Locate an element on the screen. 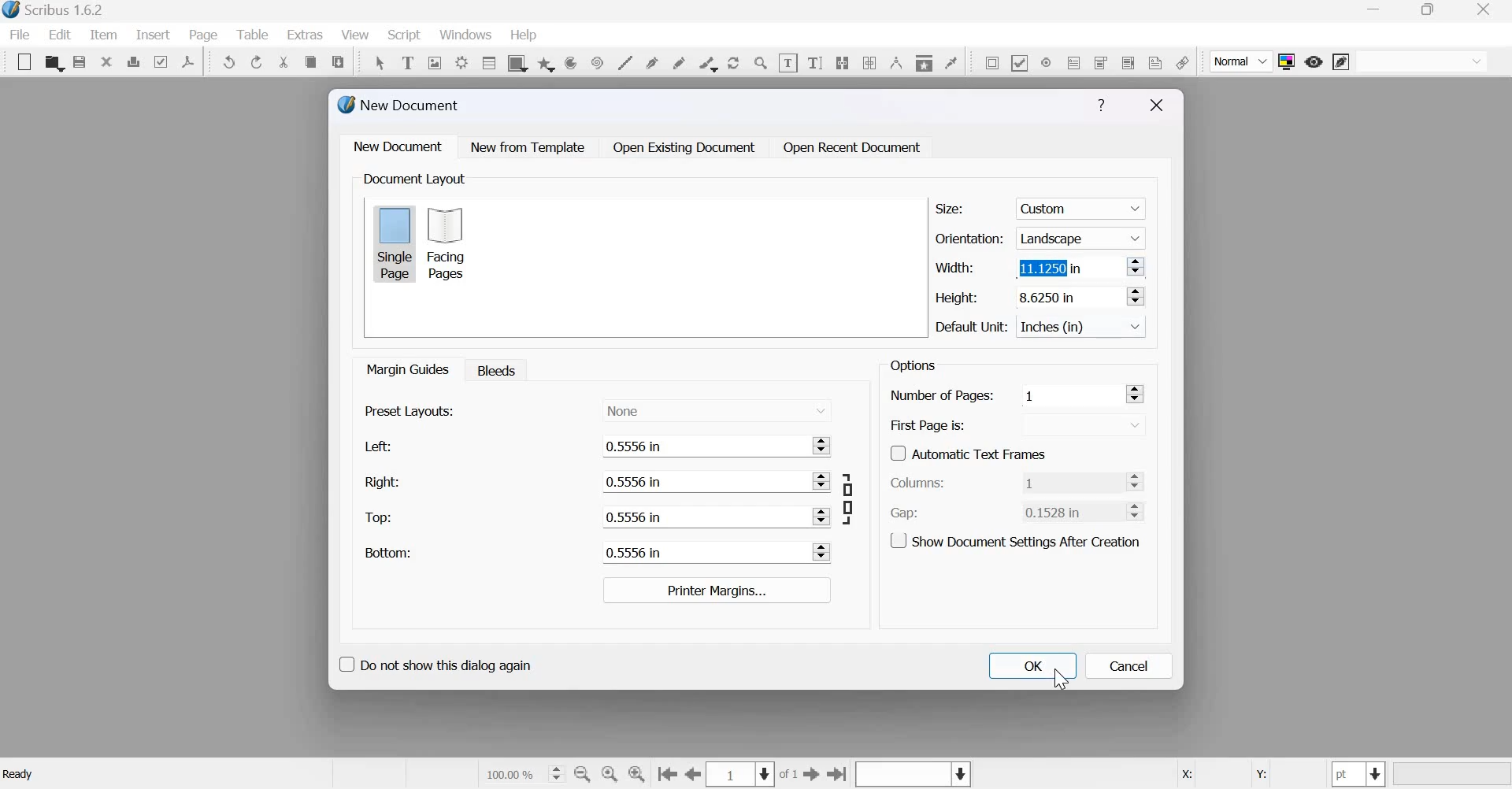 The height and width of the screenshot is (789, 1512). of 1 is located at coordinates (789, 775).